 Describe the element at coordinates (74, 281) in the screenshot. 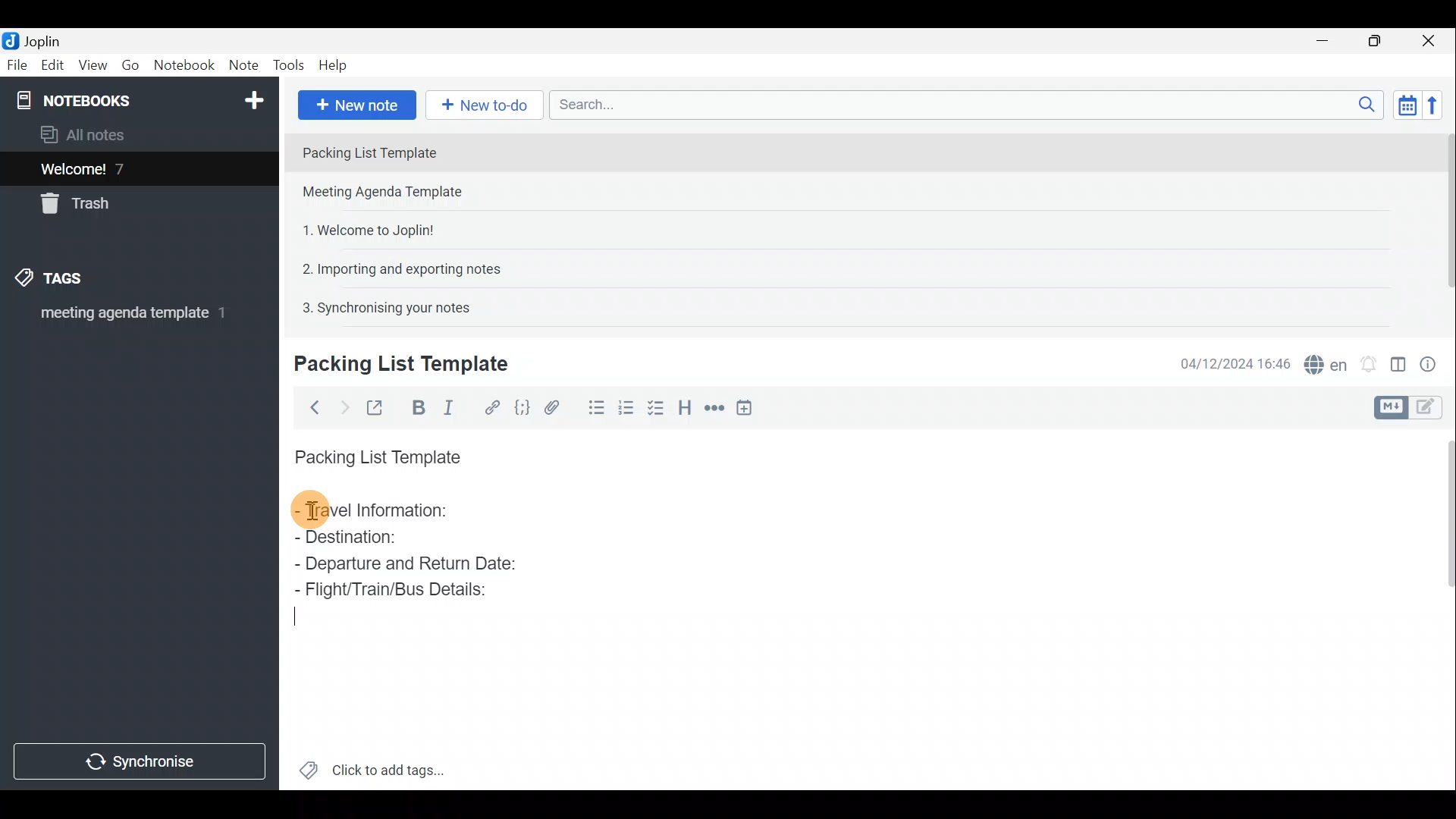

I see `Tags` at that location.